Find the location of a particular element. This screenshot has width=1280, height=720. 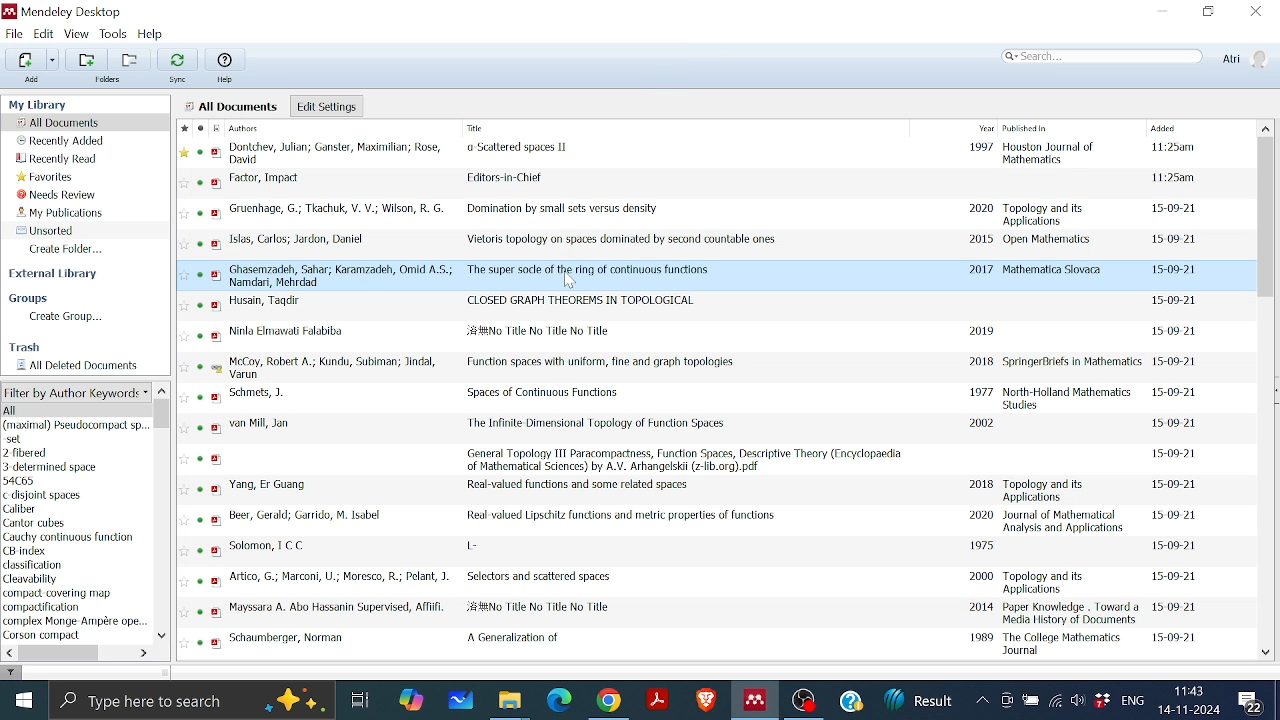

Filter option is located at coordinates (75, 393).